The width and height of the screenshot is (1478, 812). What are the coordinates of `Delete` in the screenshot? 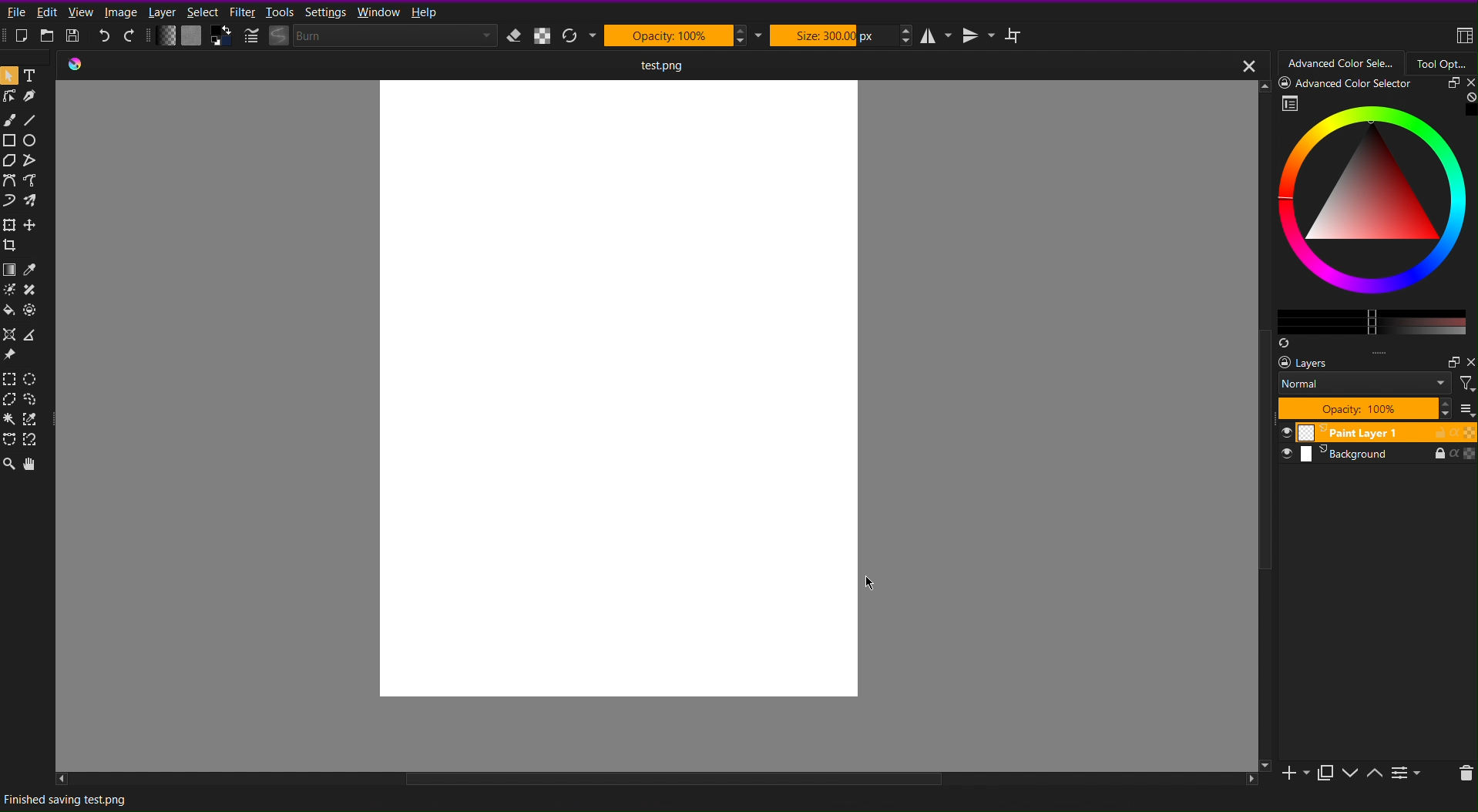 It's located at (1463, 771).